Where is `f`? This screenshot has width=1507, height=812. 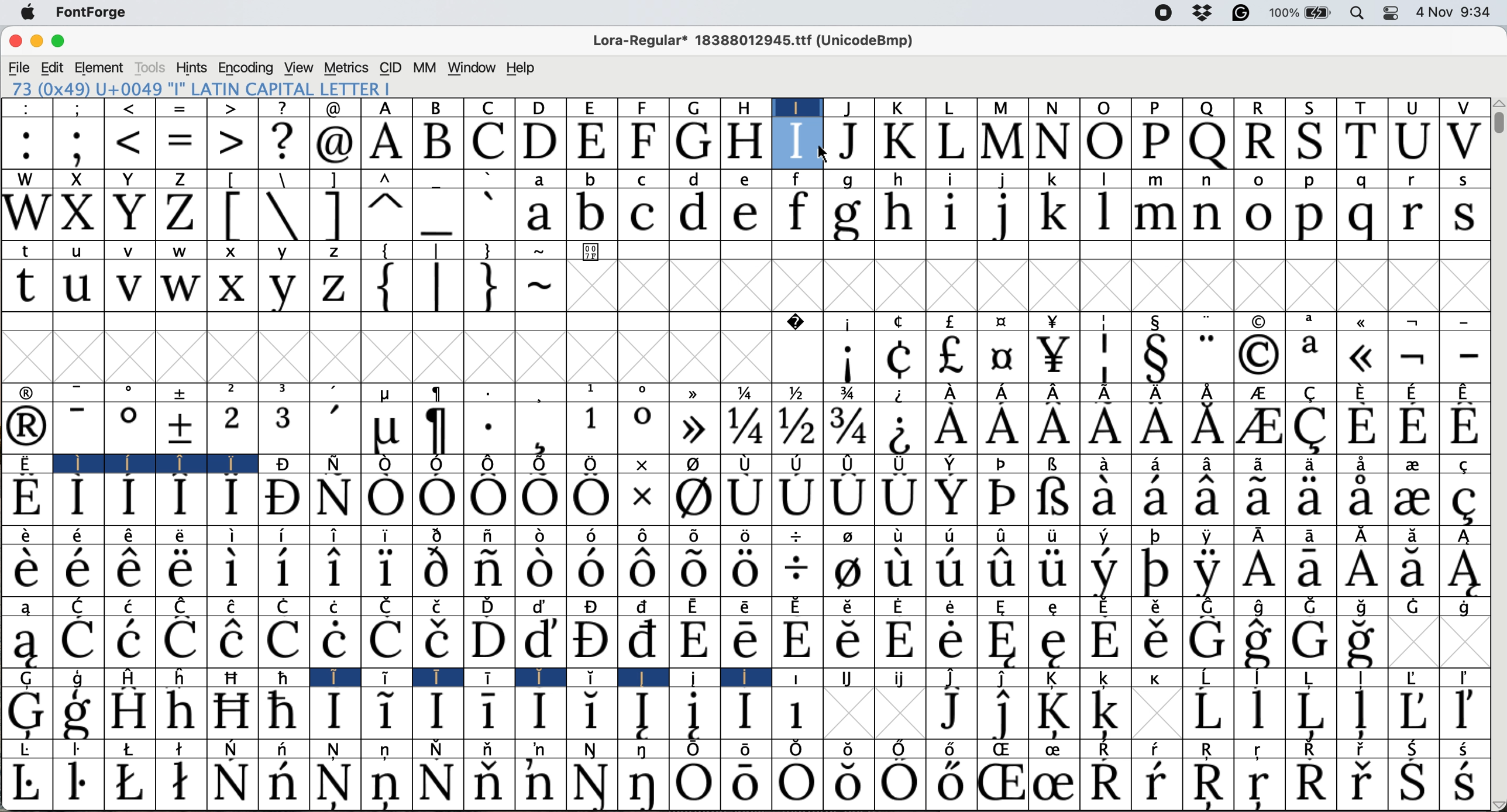 f is located at coordinates (798, 180).